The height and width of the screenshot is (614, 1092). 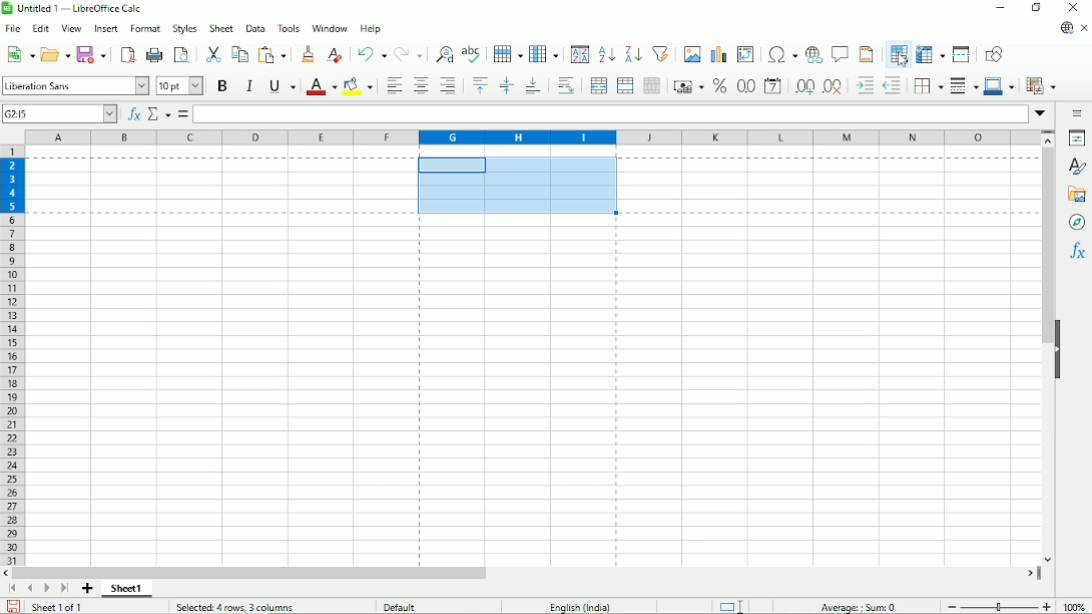 What do you see at coordinates (688, 86) in the screenshot?
I see `Format as currency` at bounding box center [688, 86].